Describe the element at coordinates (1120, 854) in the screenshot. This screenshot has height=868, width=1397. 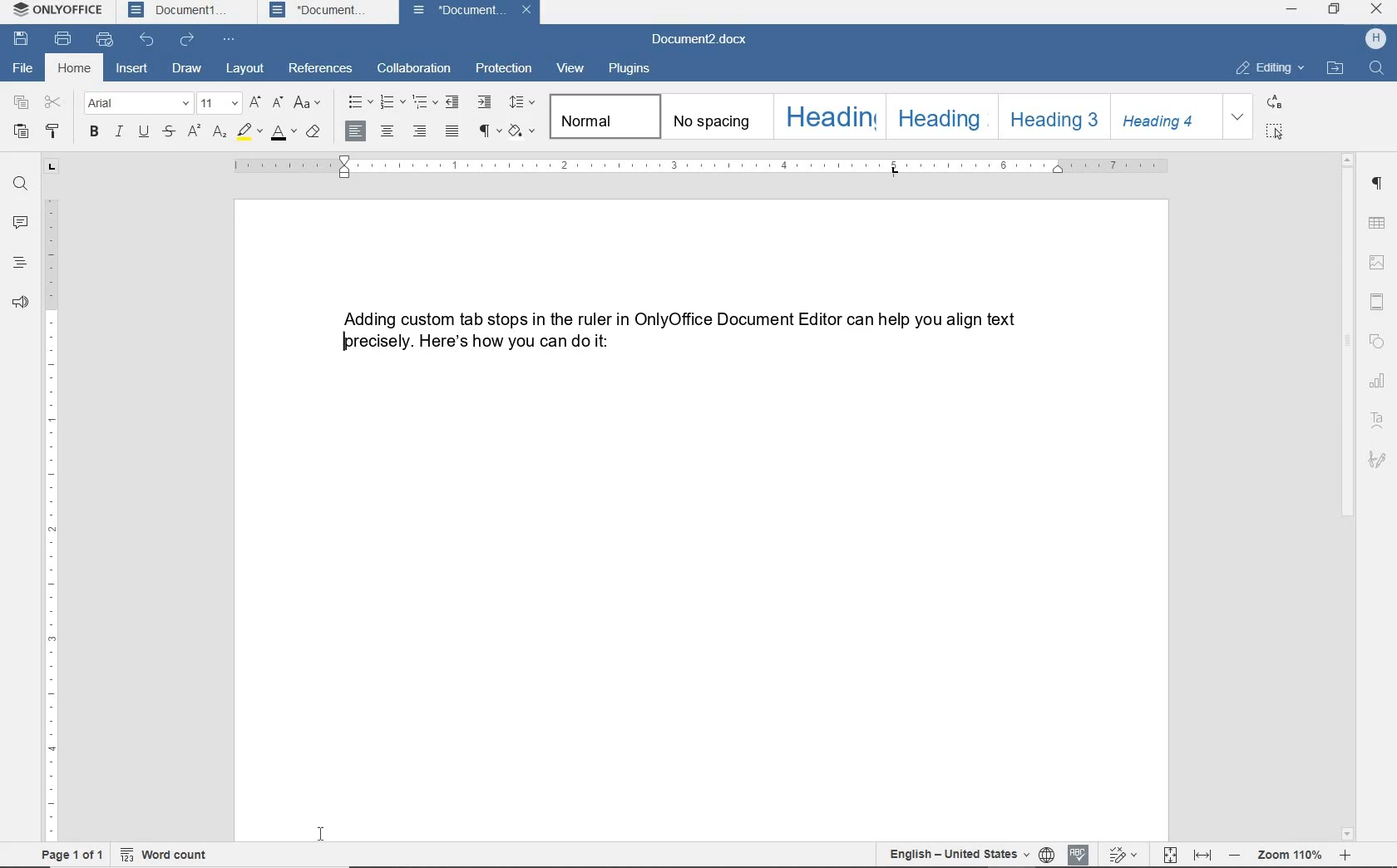
I see `track changes` at that location.